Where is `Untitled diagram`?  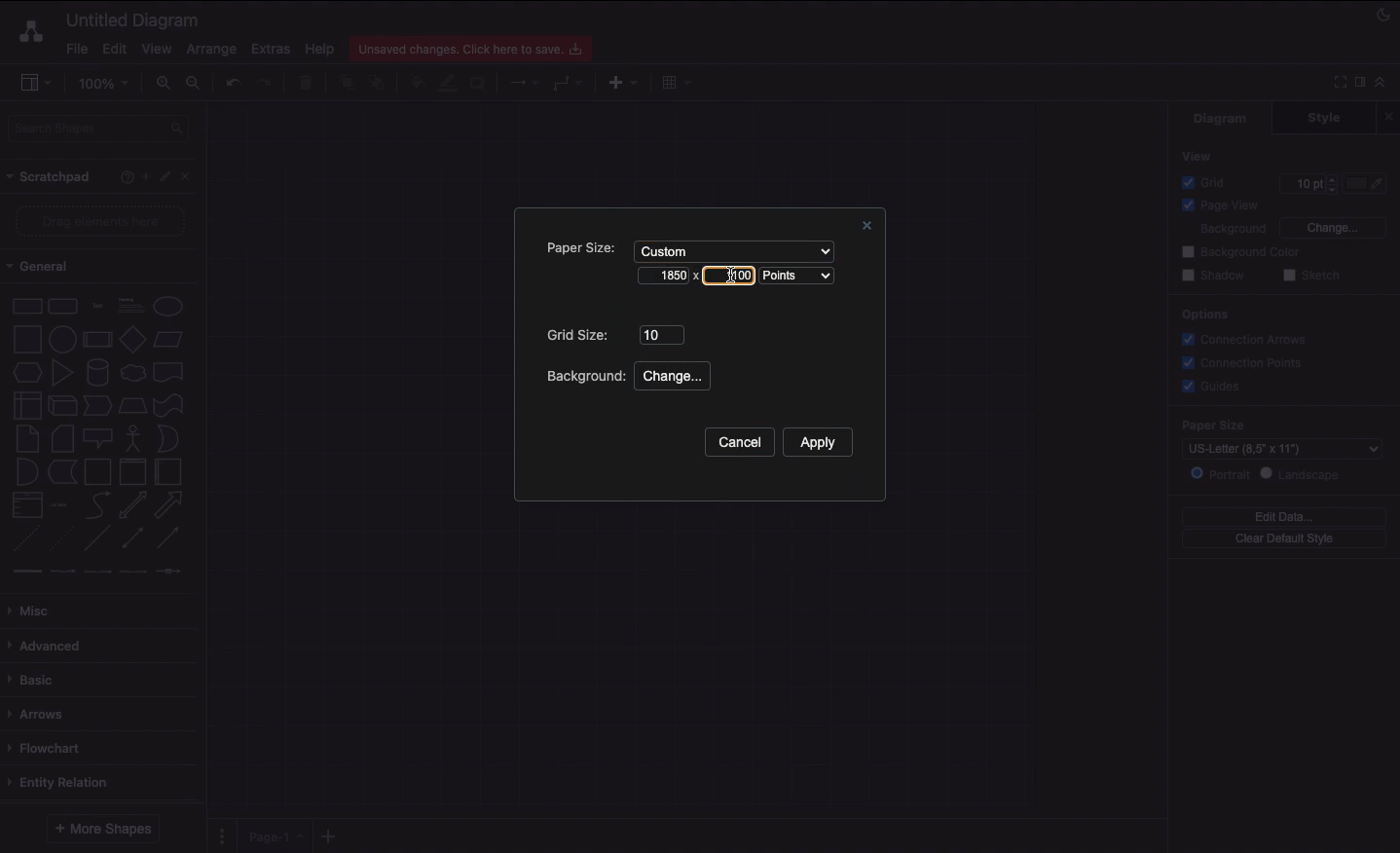 Untitled diagram is located at coordinates (133, 19).